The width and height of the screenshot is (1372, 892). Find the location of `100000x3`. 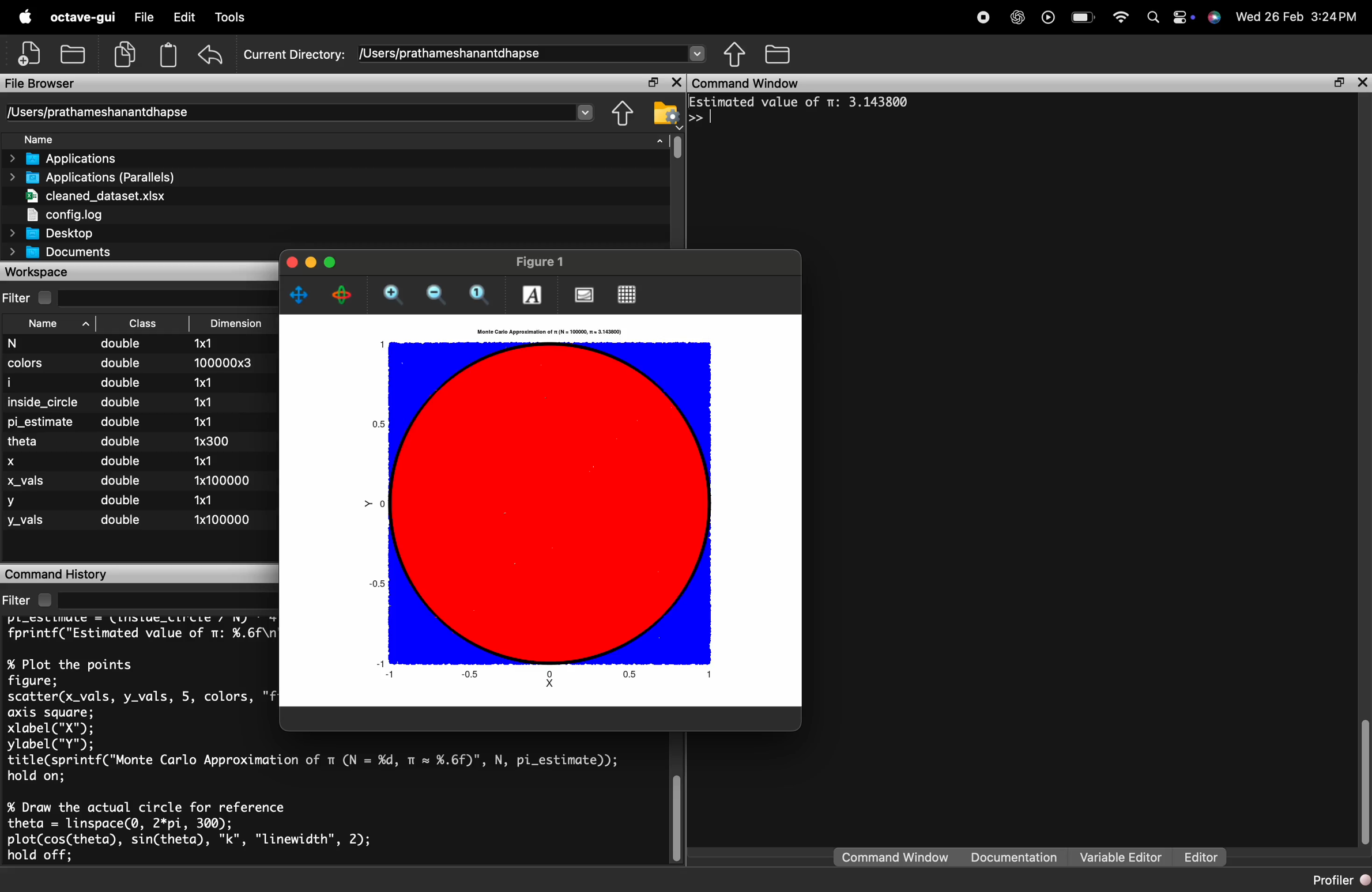

100000x3 is located at coordinates (216, 362).